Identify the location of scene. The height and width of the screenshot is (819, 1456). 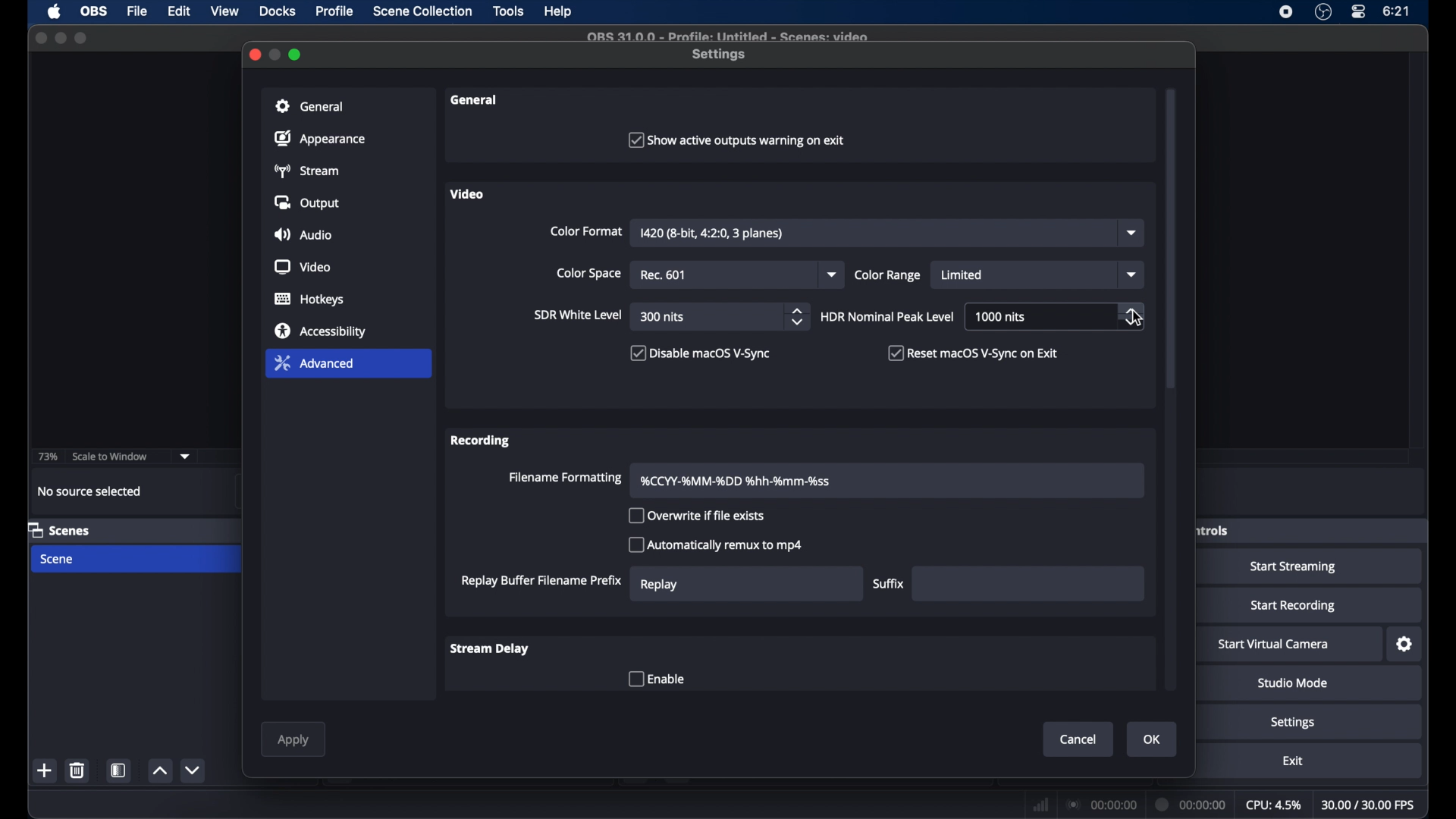
(58, 560).